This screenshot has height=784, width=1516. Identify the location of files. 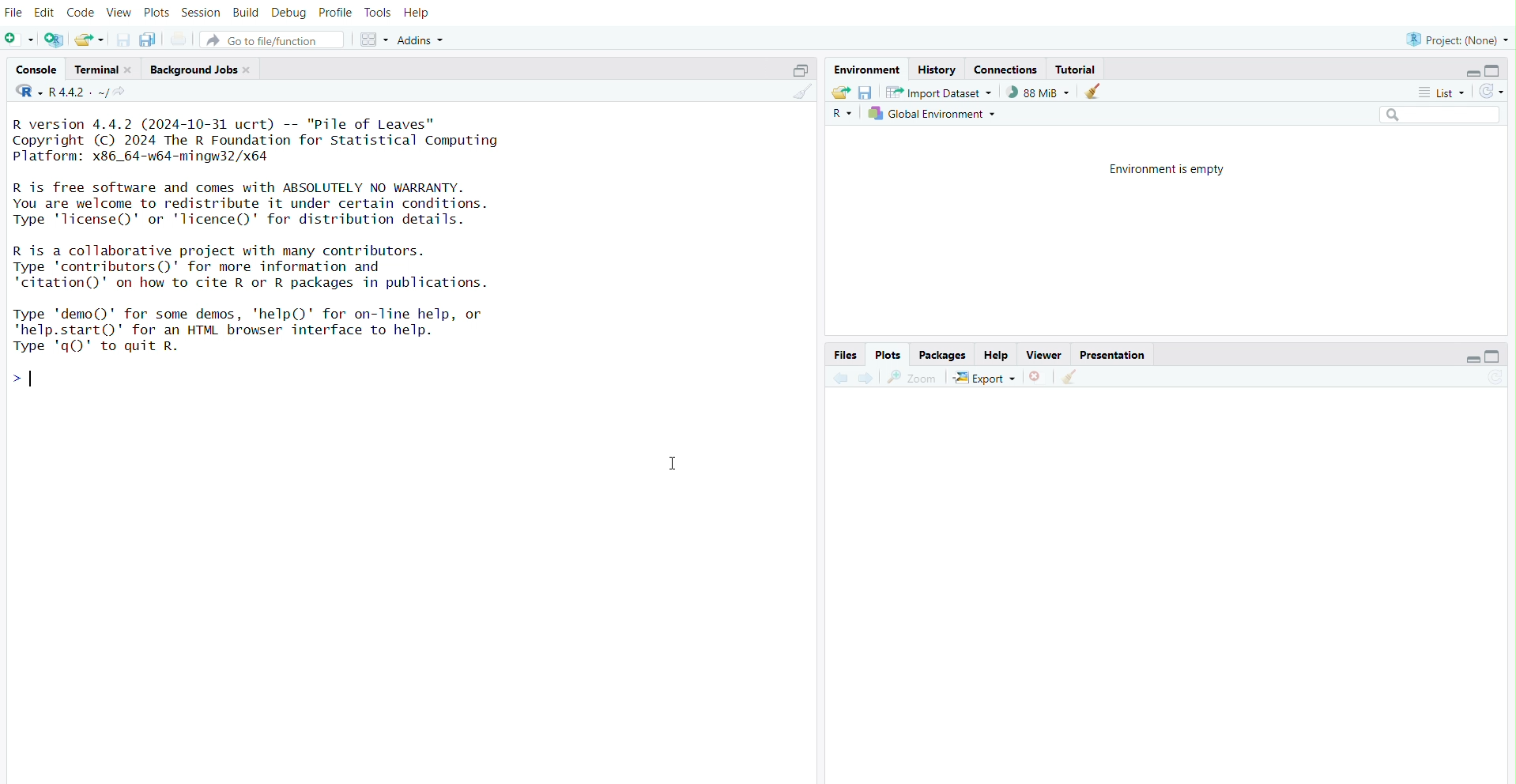
(846, 356).